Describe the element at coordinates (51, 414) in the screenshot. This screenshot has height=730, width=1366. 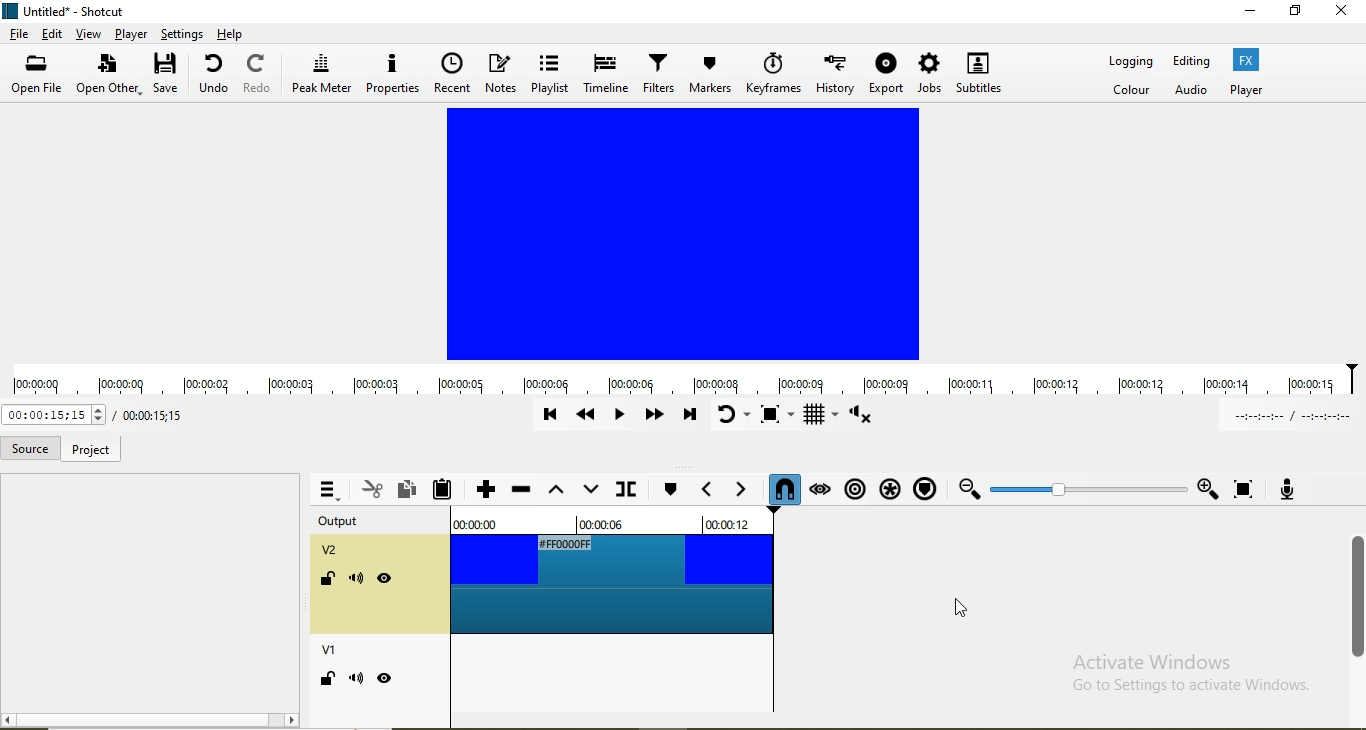
I see `Total duration` at that location.